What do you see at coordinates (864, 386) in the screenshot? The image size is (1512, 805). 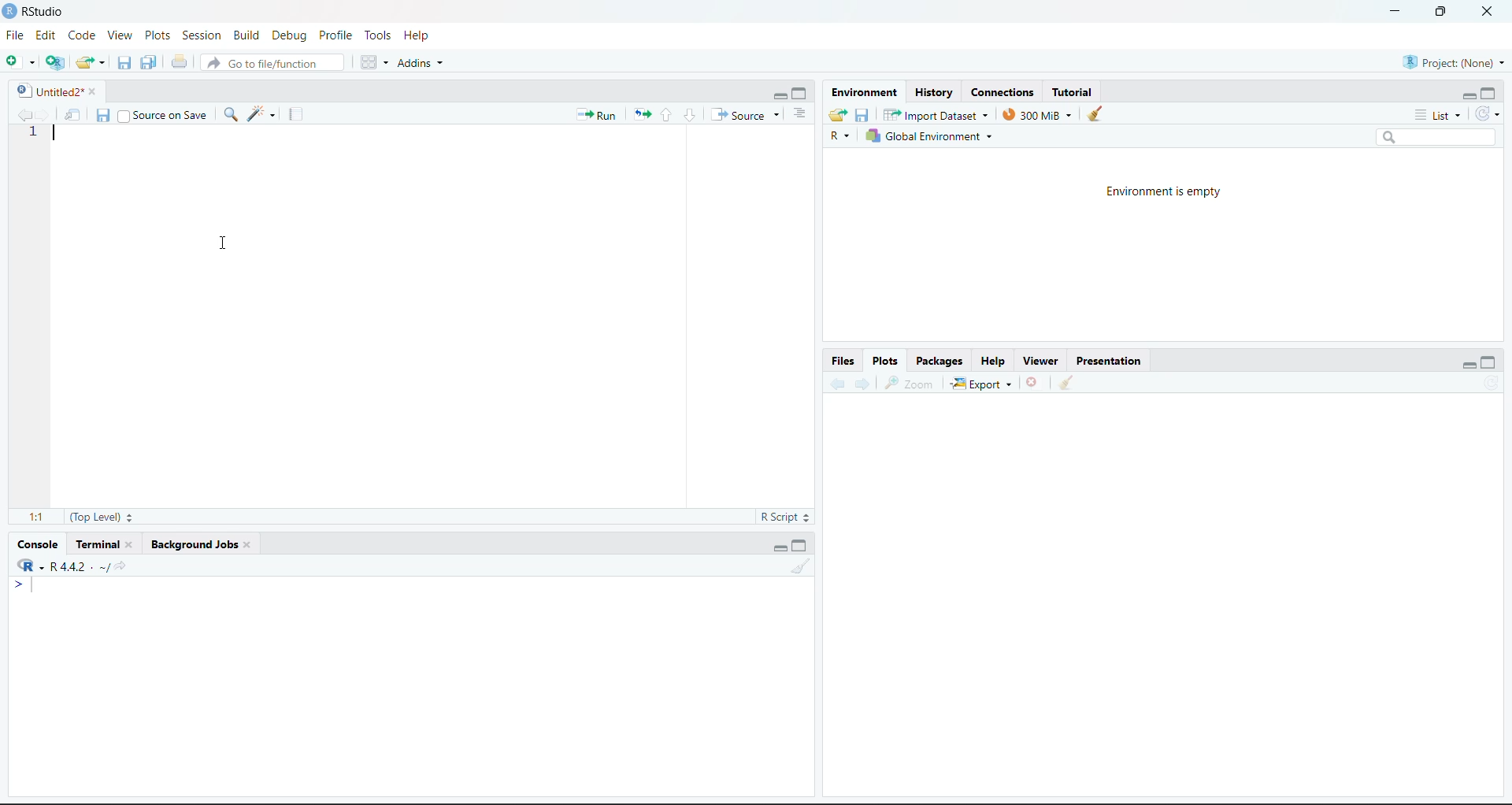 I see `go forward` at bounding box center [864, 386].